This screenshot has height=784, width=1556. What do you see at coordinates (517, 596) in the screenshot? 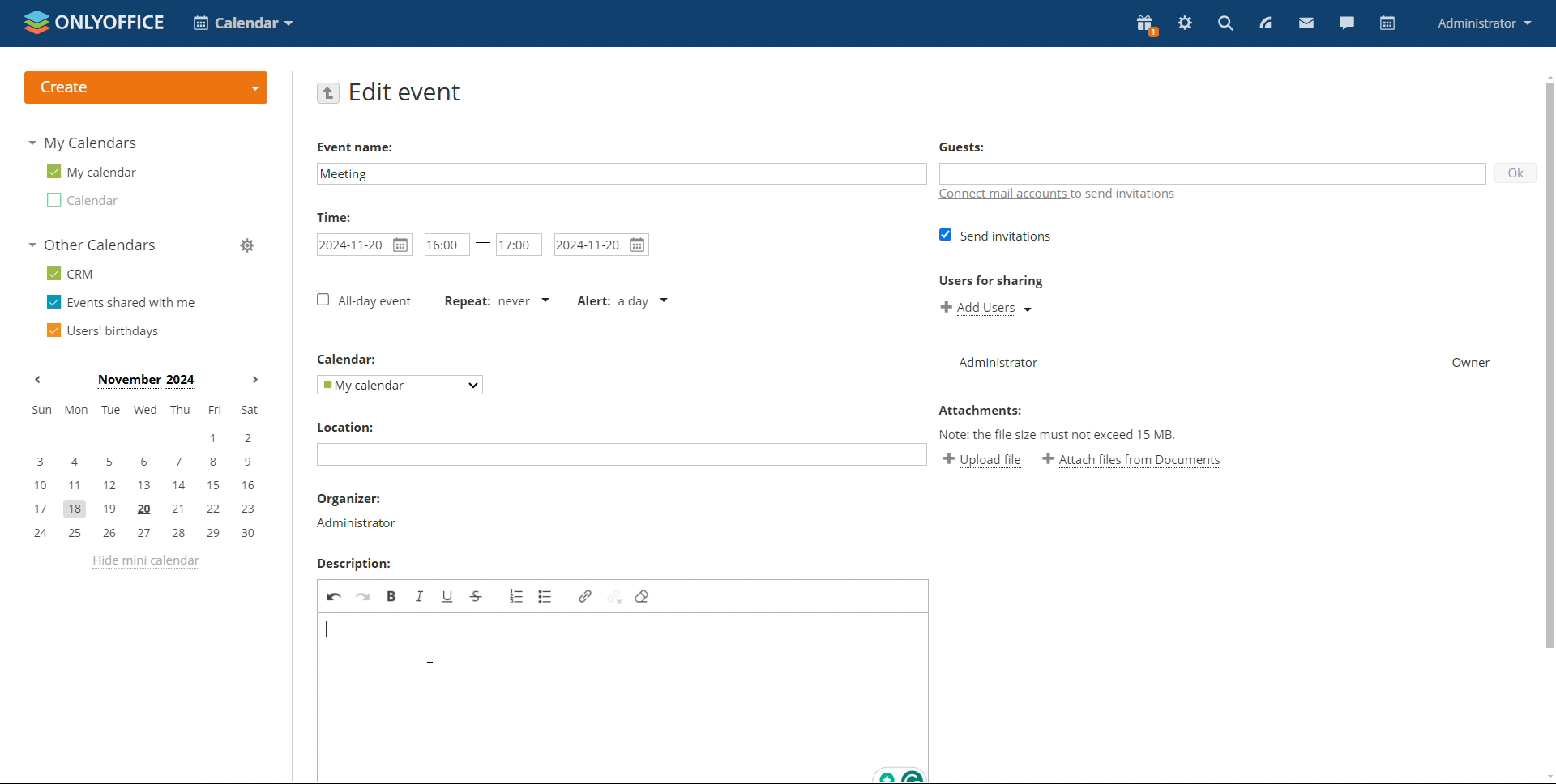
I see `insert/remove numbered list` at bounding box center [517, 596].